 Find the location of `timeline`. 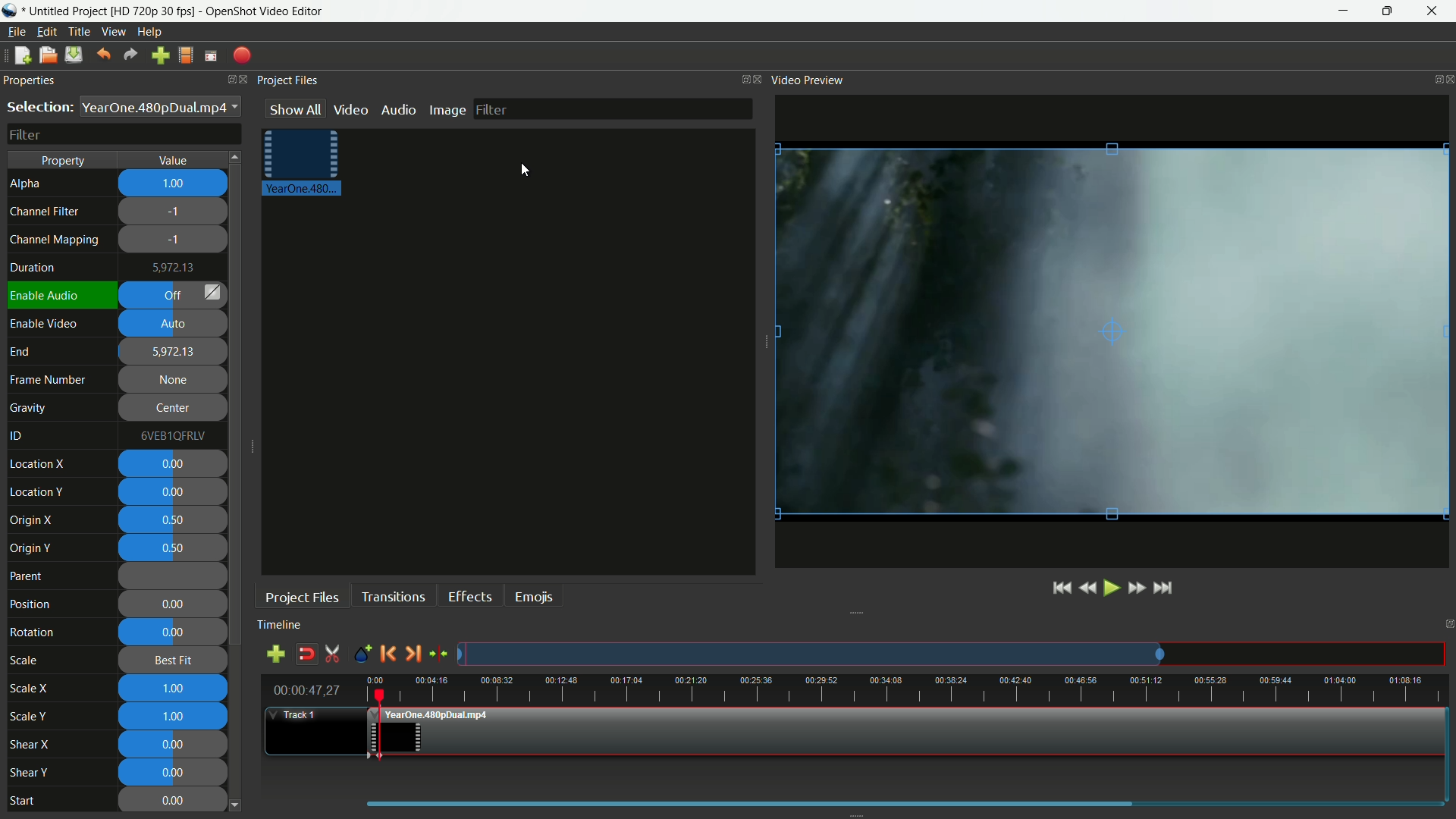

timeline is located at coordinates (284, 625).